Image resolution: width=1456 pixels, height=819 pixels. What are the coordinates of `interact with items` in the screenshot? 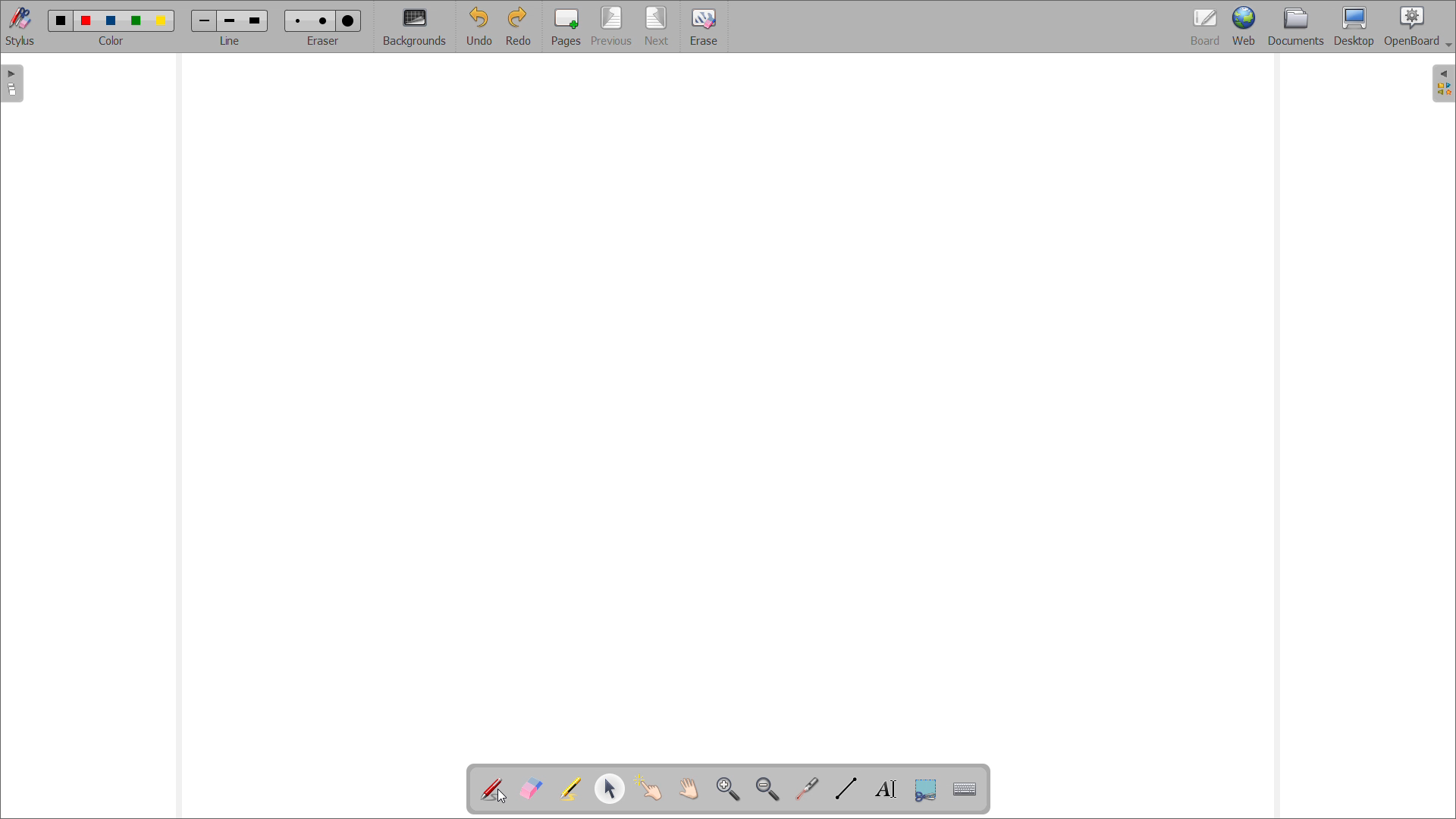 It's located at (650, 788).